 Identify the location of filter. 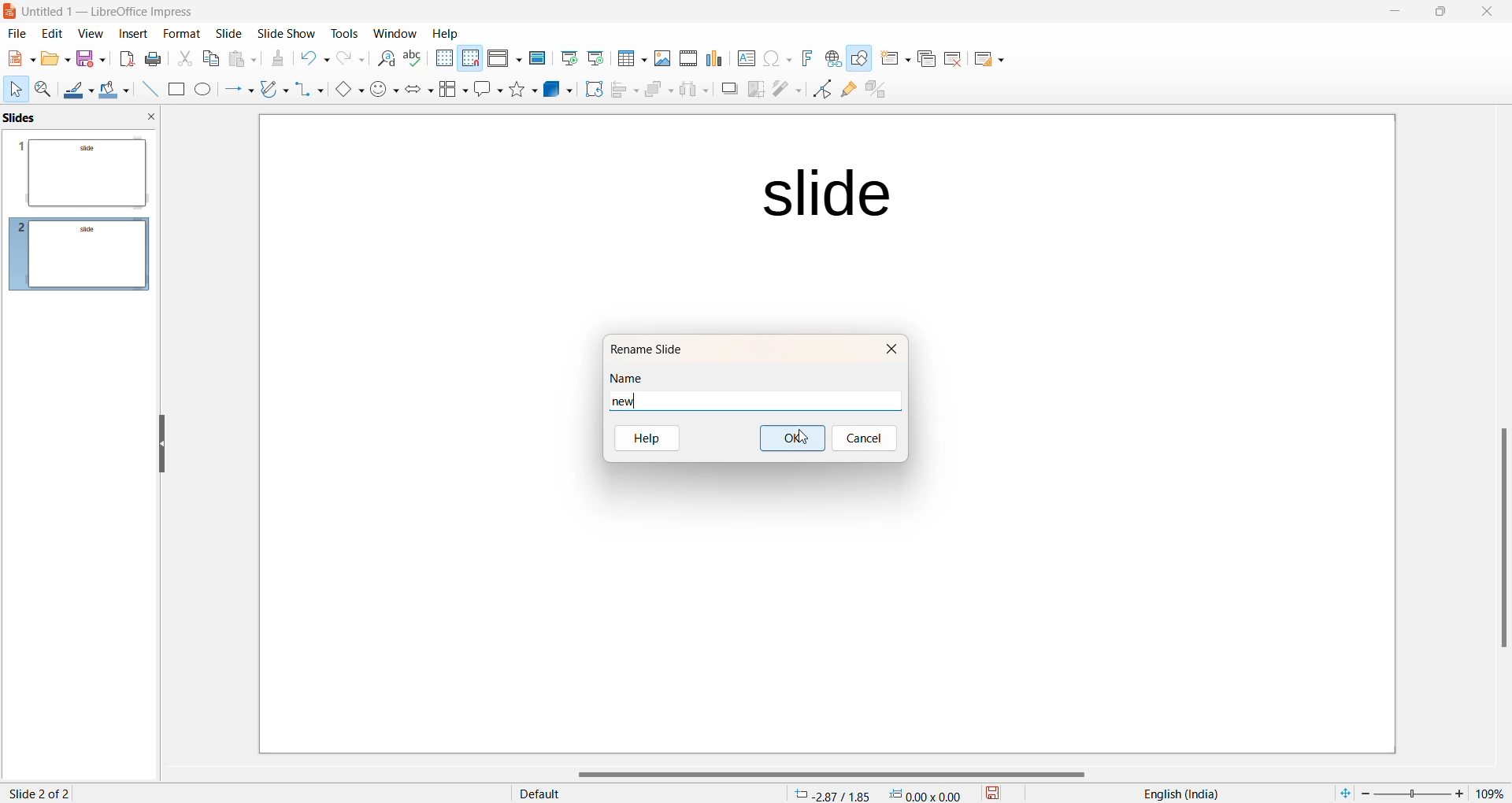
(786, 90).